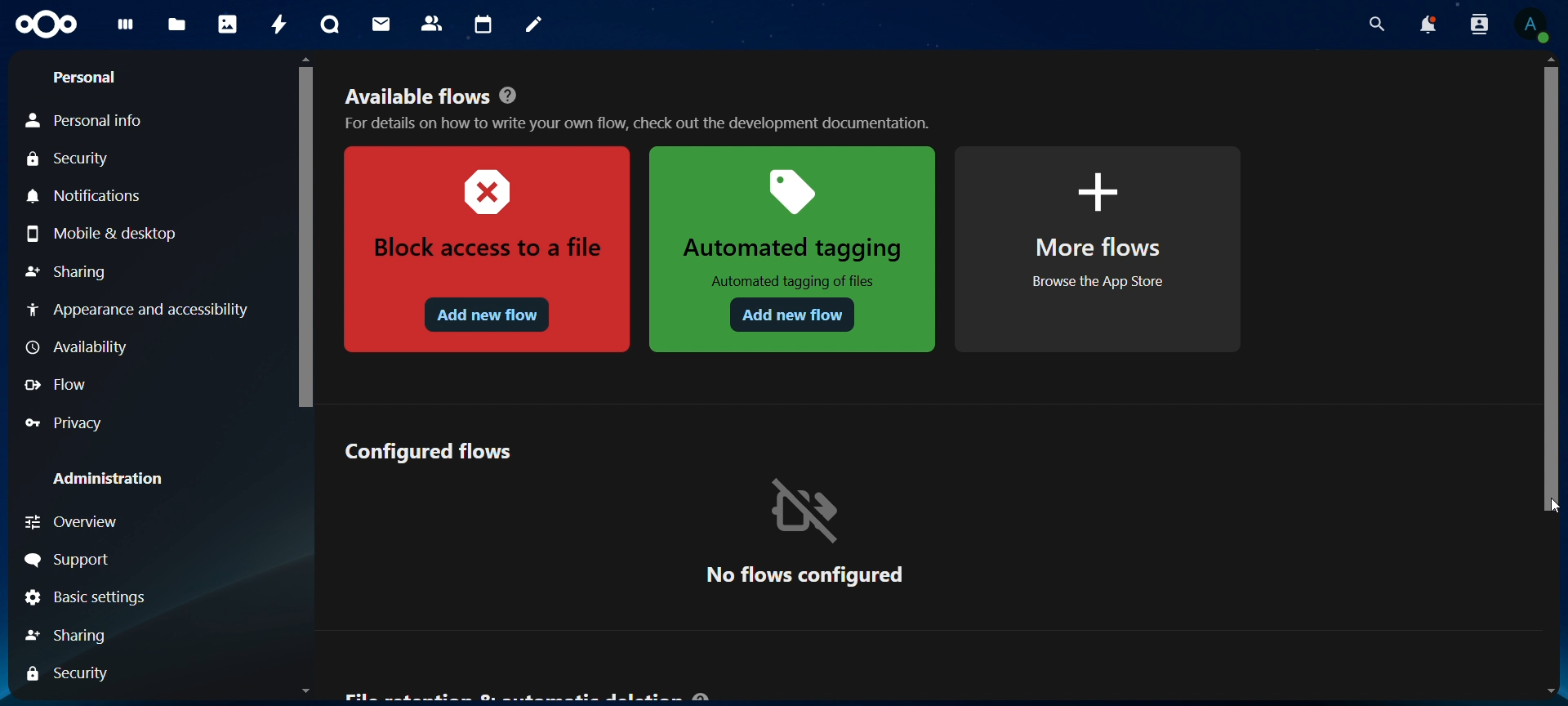  Describe the element at coordinates (483, 251) in the screenshot. I see `block access to a file` at that location.